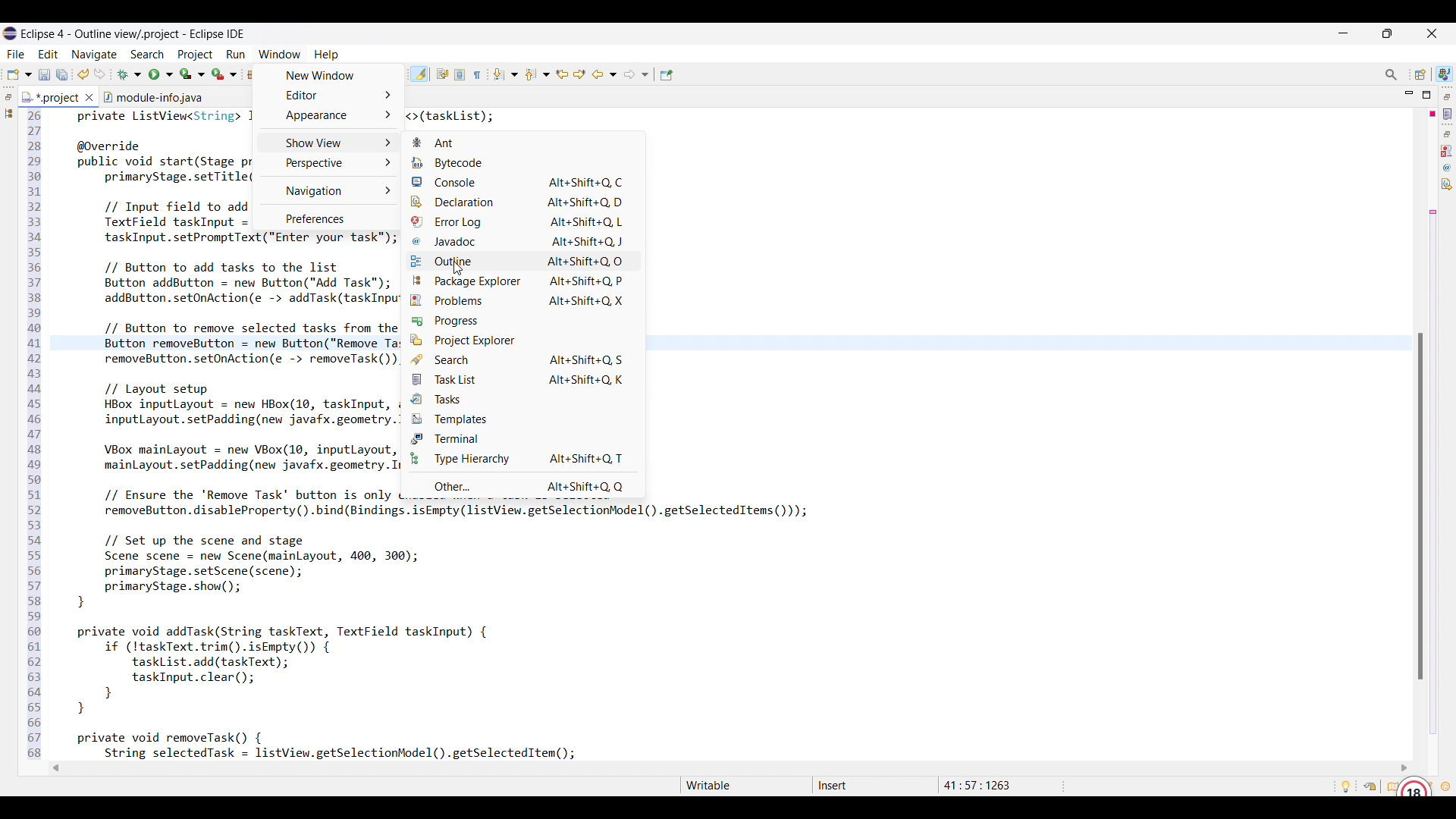 This screenshot has height=819, width=1456. Describe the element at coordinates (19, 74) in the screenshot. I see `New options` at that location.